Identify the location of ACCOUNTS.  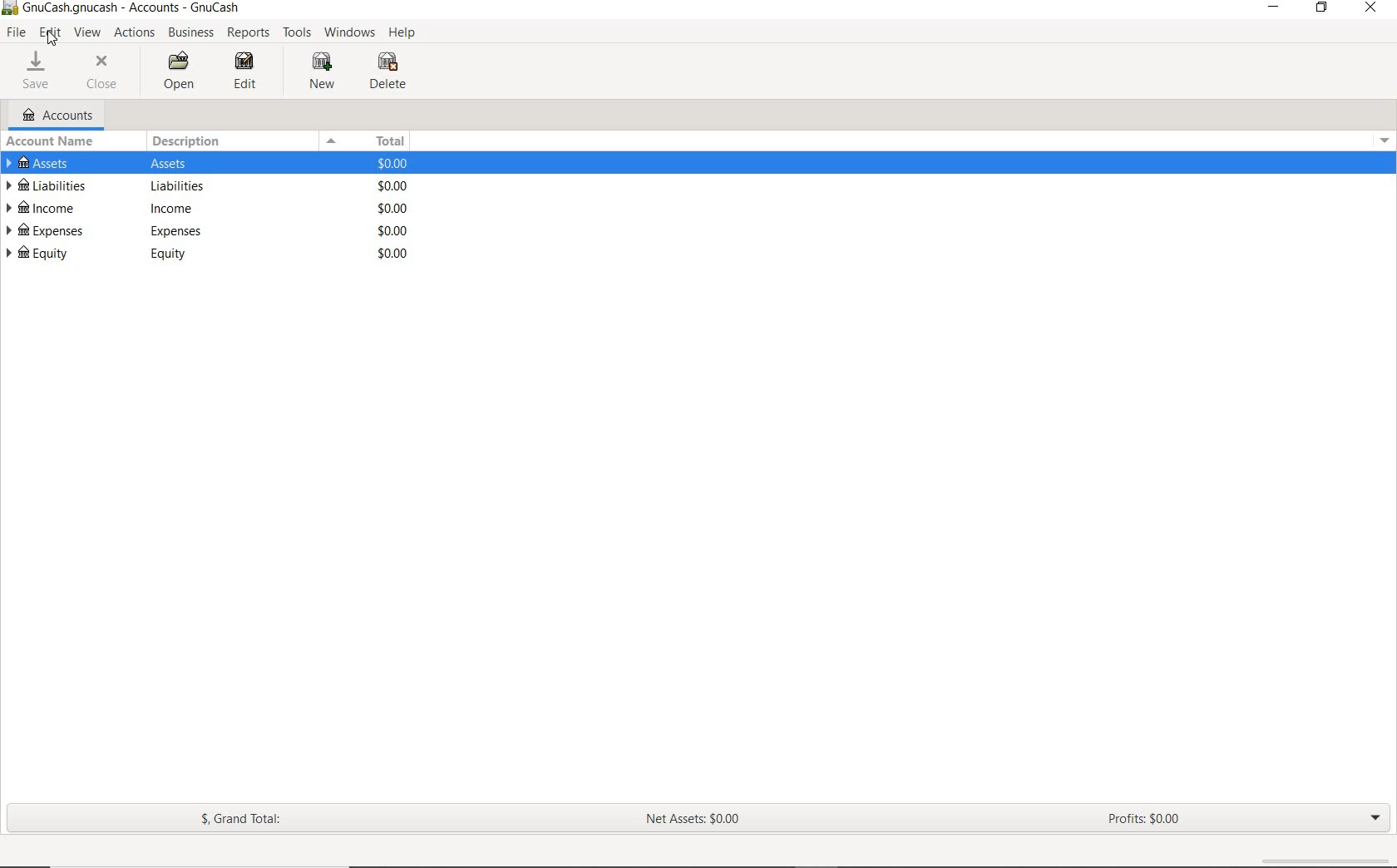
(58, 115).